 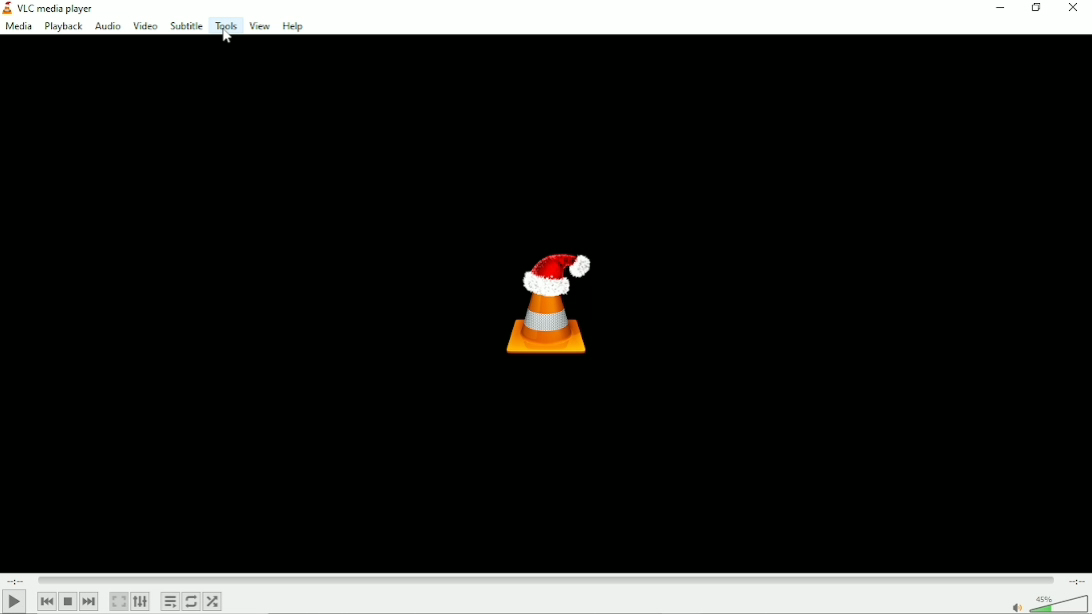 I want to click on Play, so click(x=15, y=602).